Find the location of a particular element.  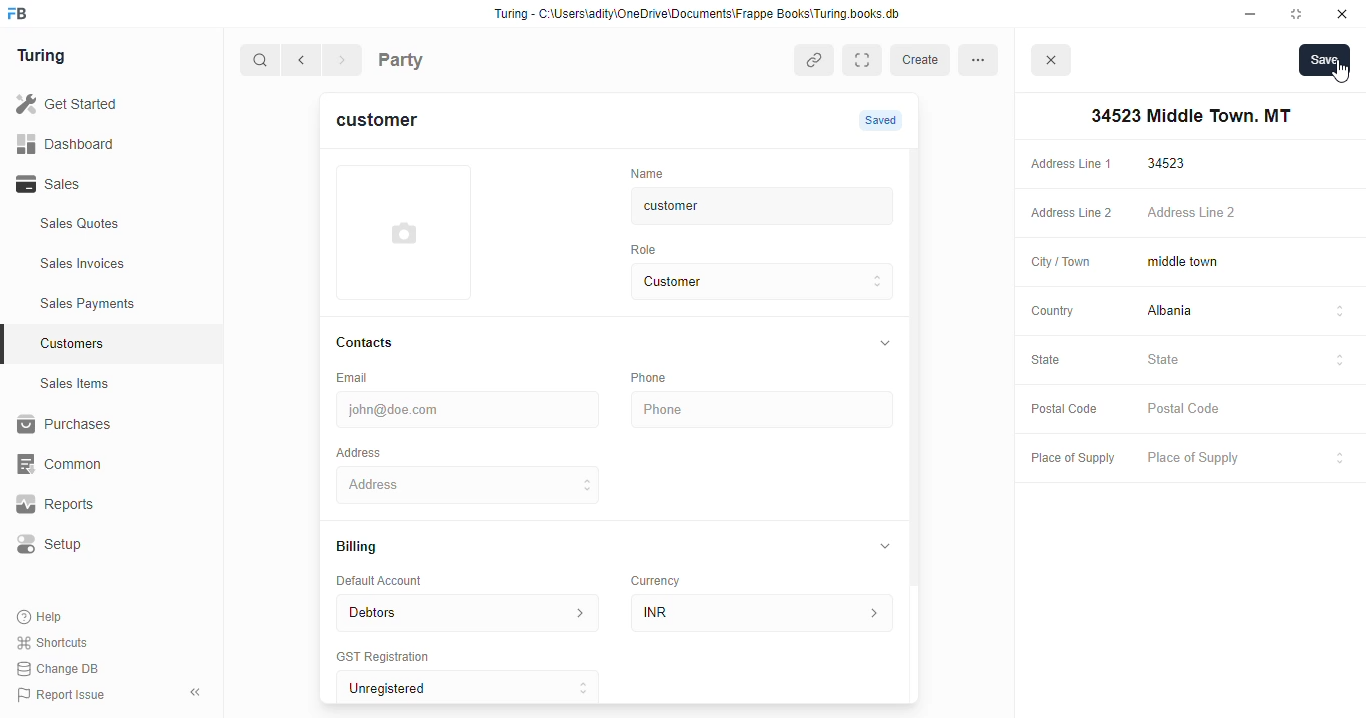

Default Account is located at coordinates (395, 580).